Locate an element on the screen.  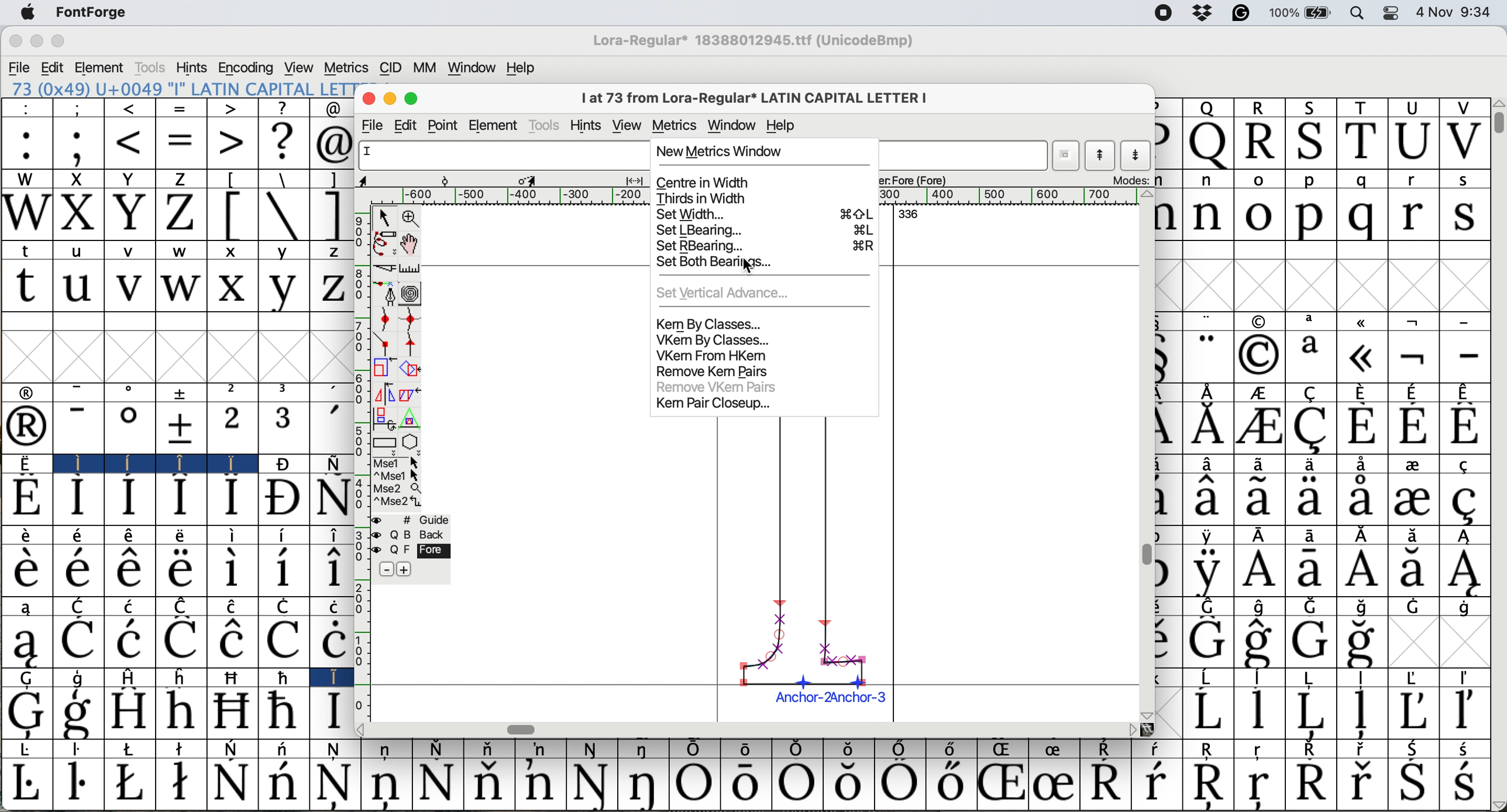
Symbol is located at coordinates (335, 785).